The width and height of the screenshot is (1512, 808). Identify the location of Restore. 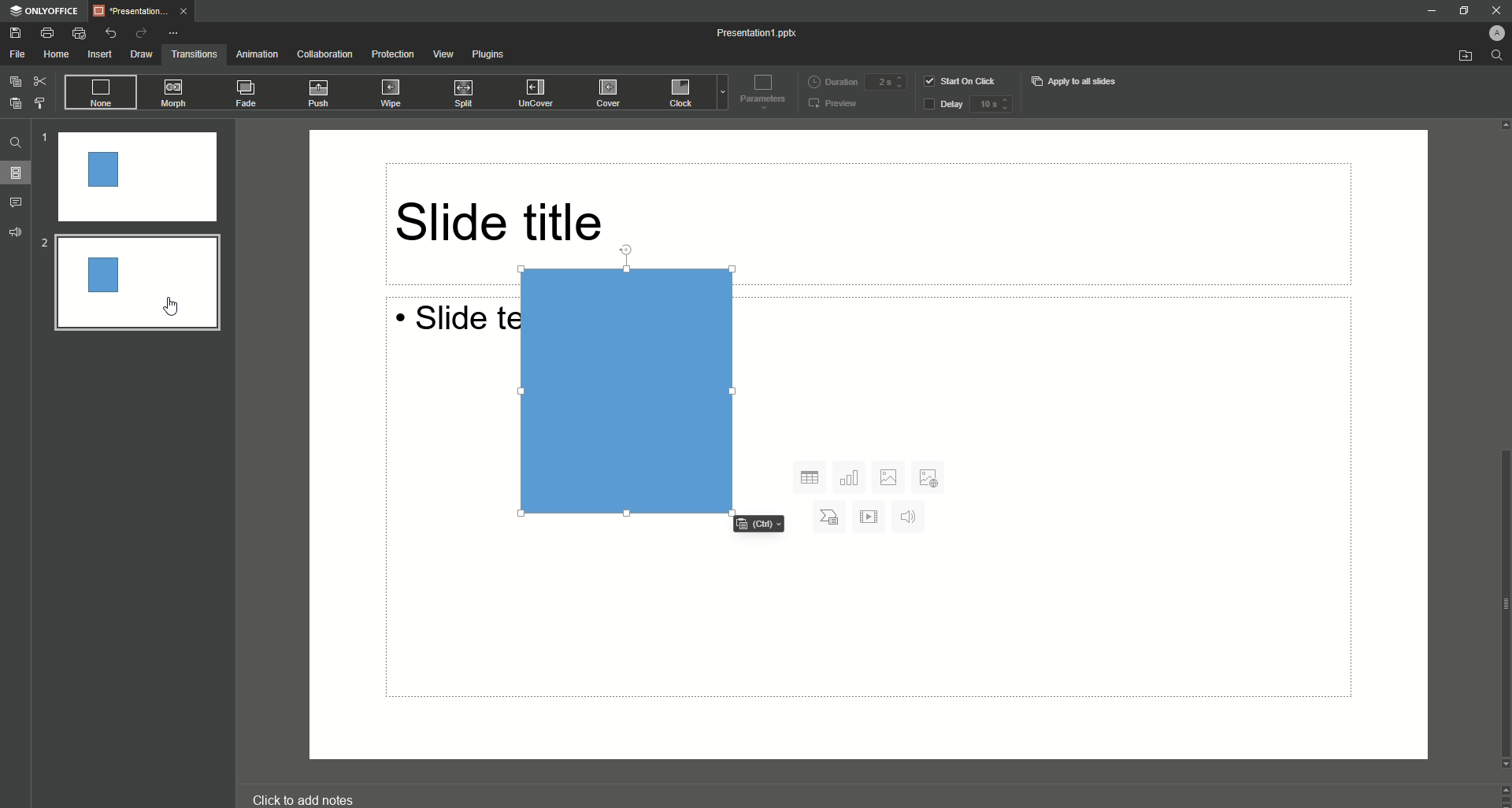
(1460, 10).